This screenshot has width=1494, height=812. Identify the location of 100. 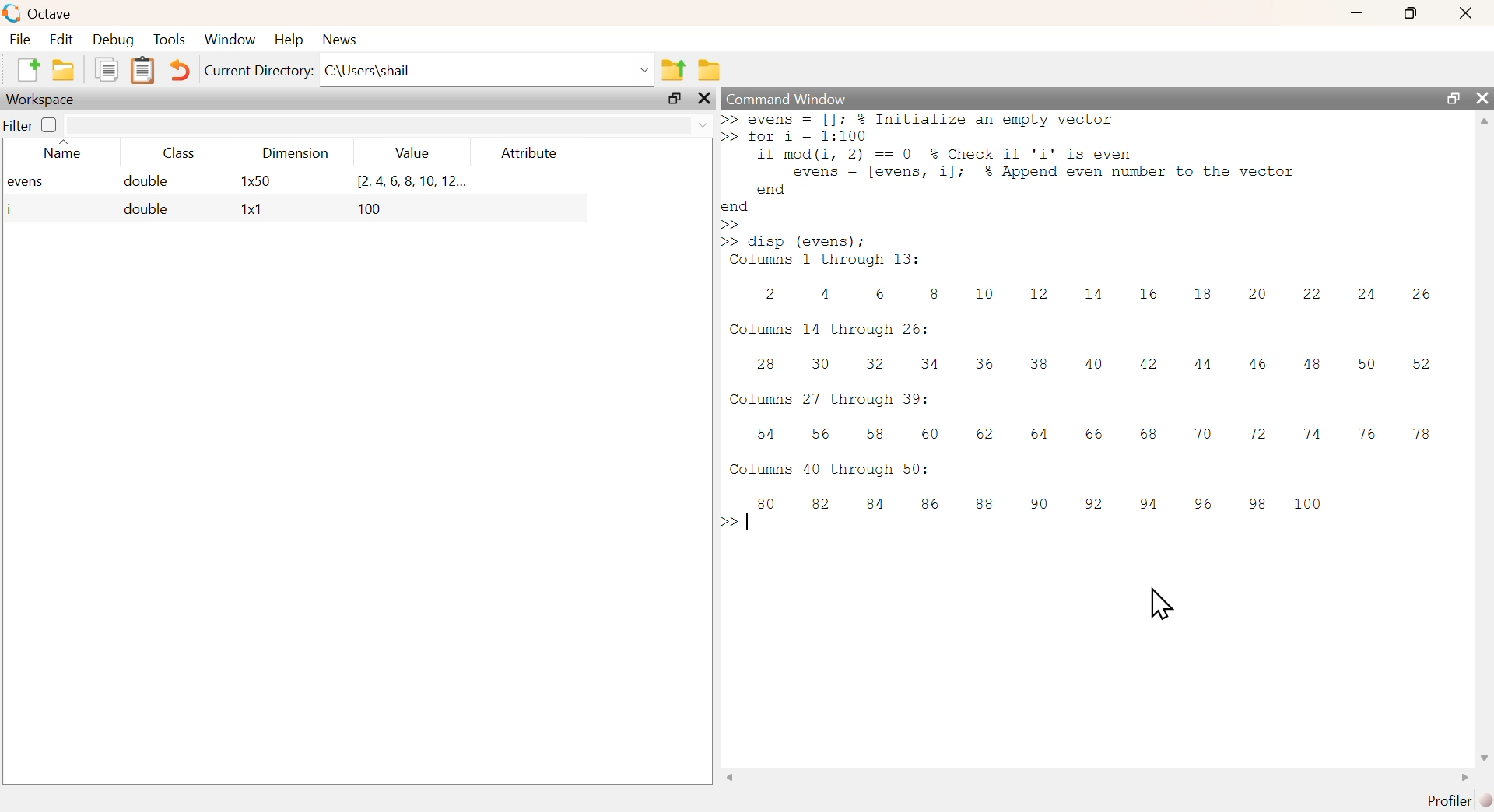
(372, 210).